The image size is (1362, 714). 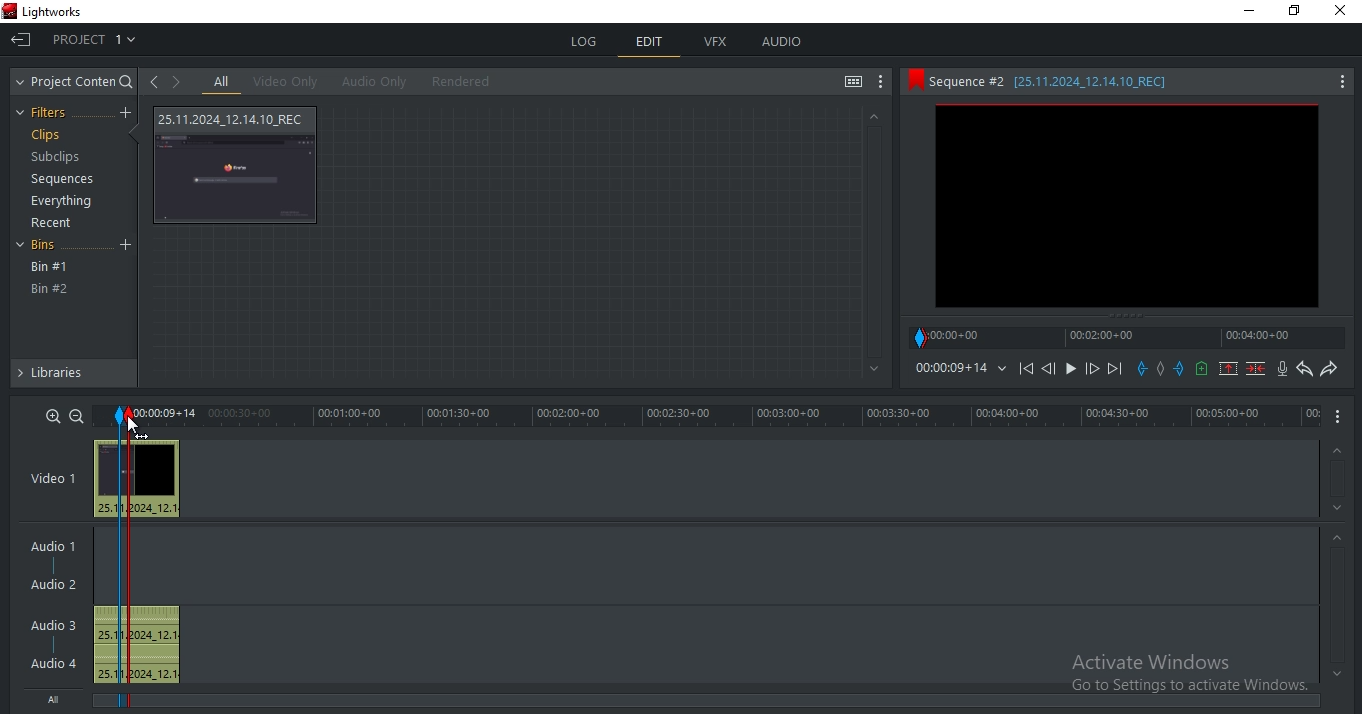 What do you see at coordinates (1338, 537) in the screenshot?
I see `Up` at bounding box center [1338, 537].